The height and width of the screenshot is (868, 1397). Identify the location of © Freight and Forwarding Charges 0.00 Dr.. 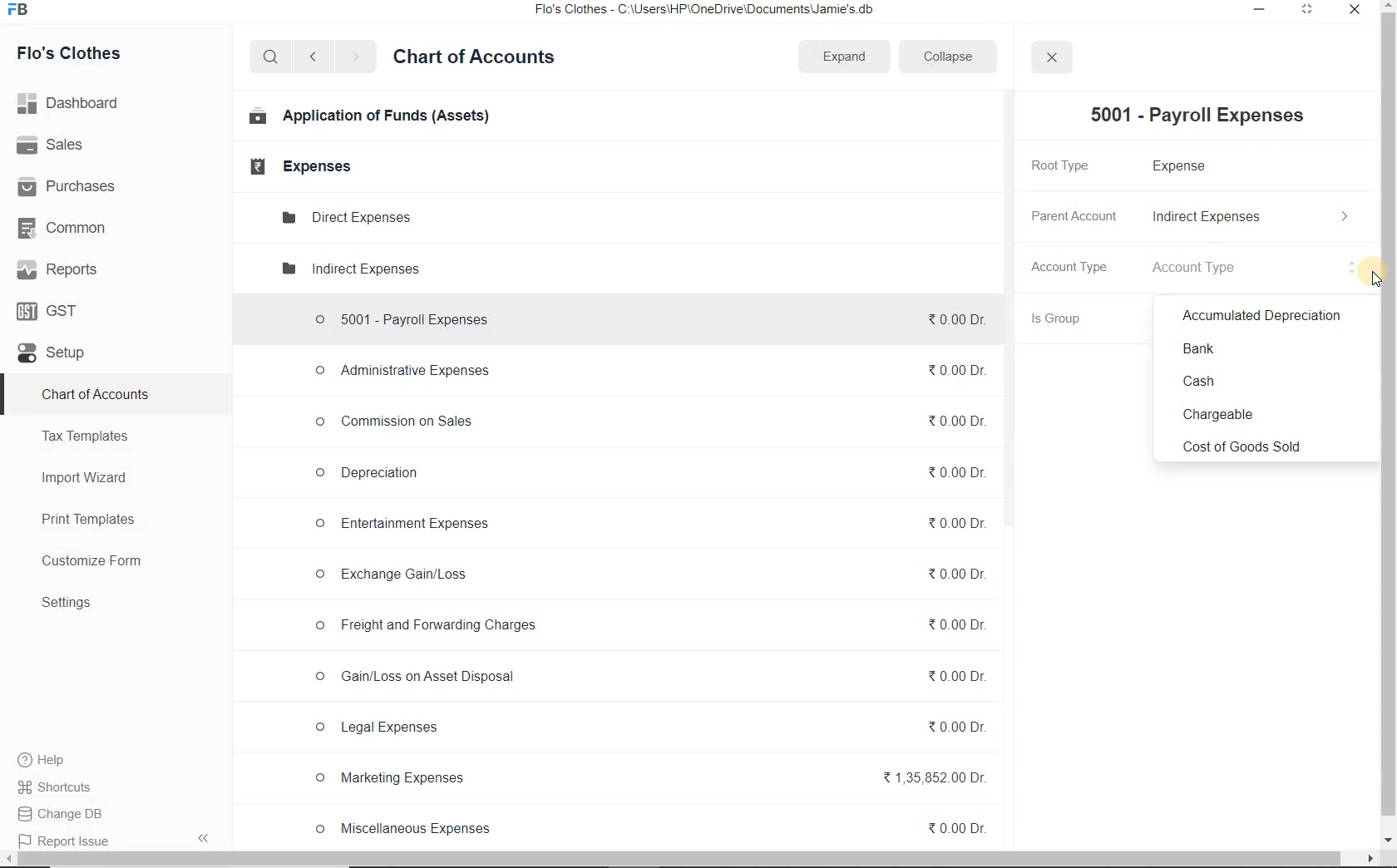
(649, 624).